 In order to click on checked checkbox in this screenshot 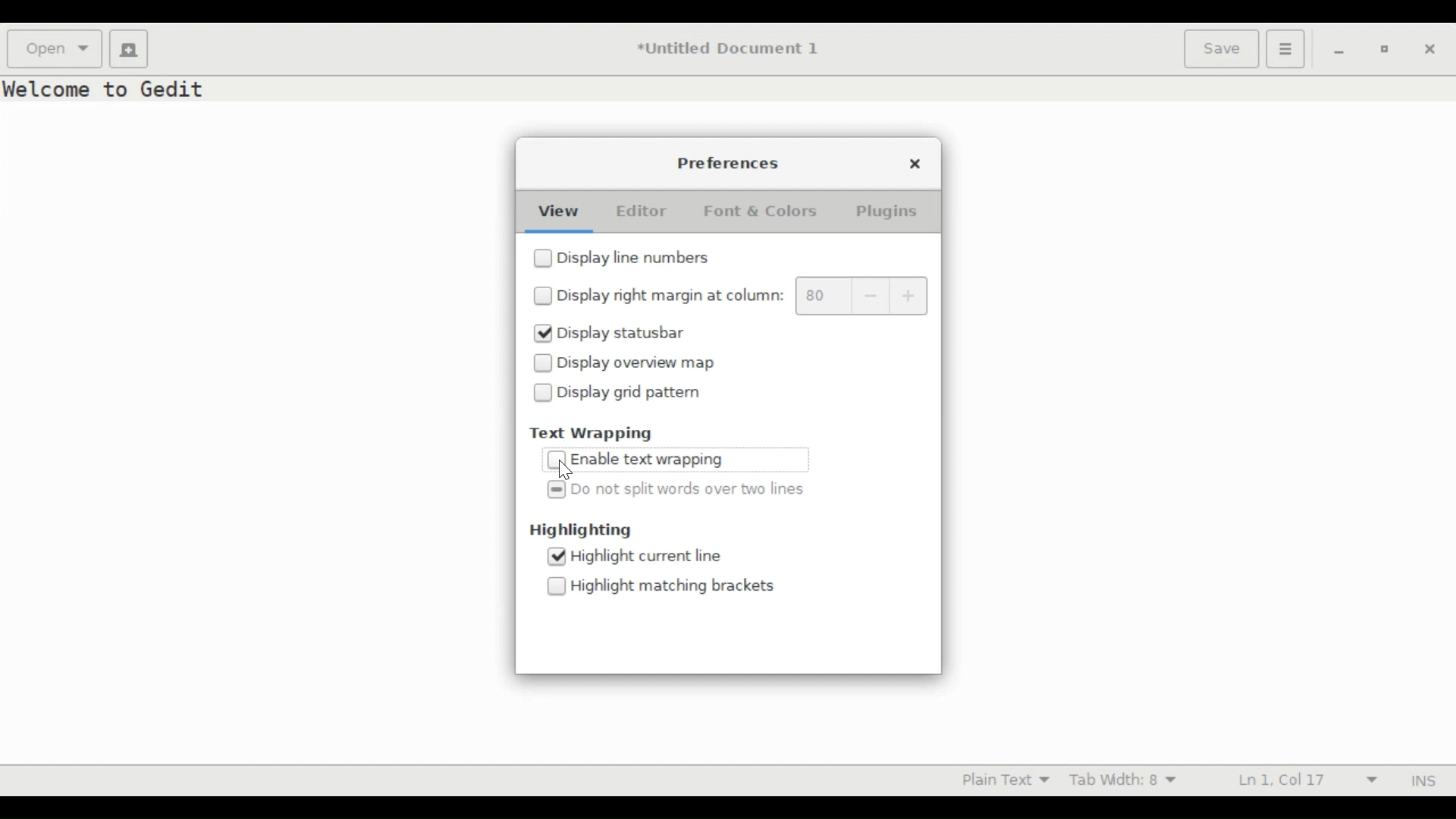, I will do `click(556, 557)`.